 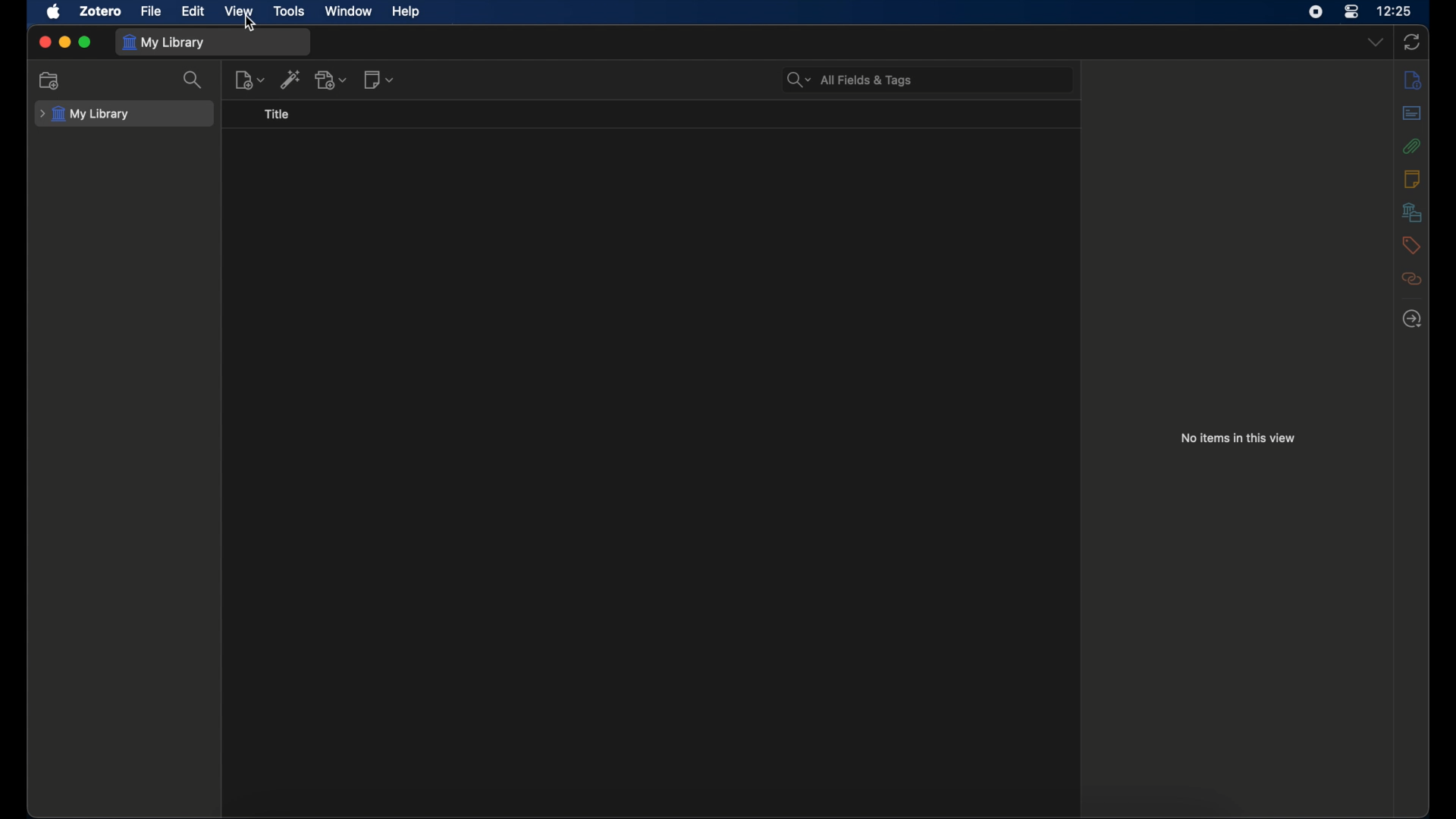 What do you see at coordinates (1375, 41) in the screenshot?
I see `dropdown` at bounding box center [1375, 41].